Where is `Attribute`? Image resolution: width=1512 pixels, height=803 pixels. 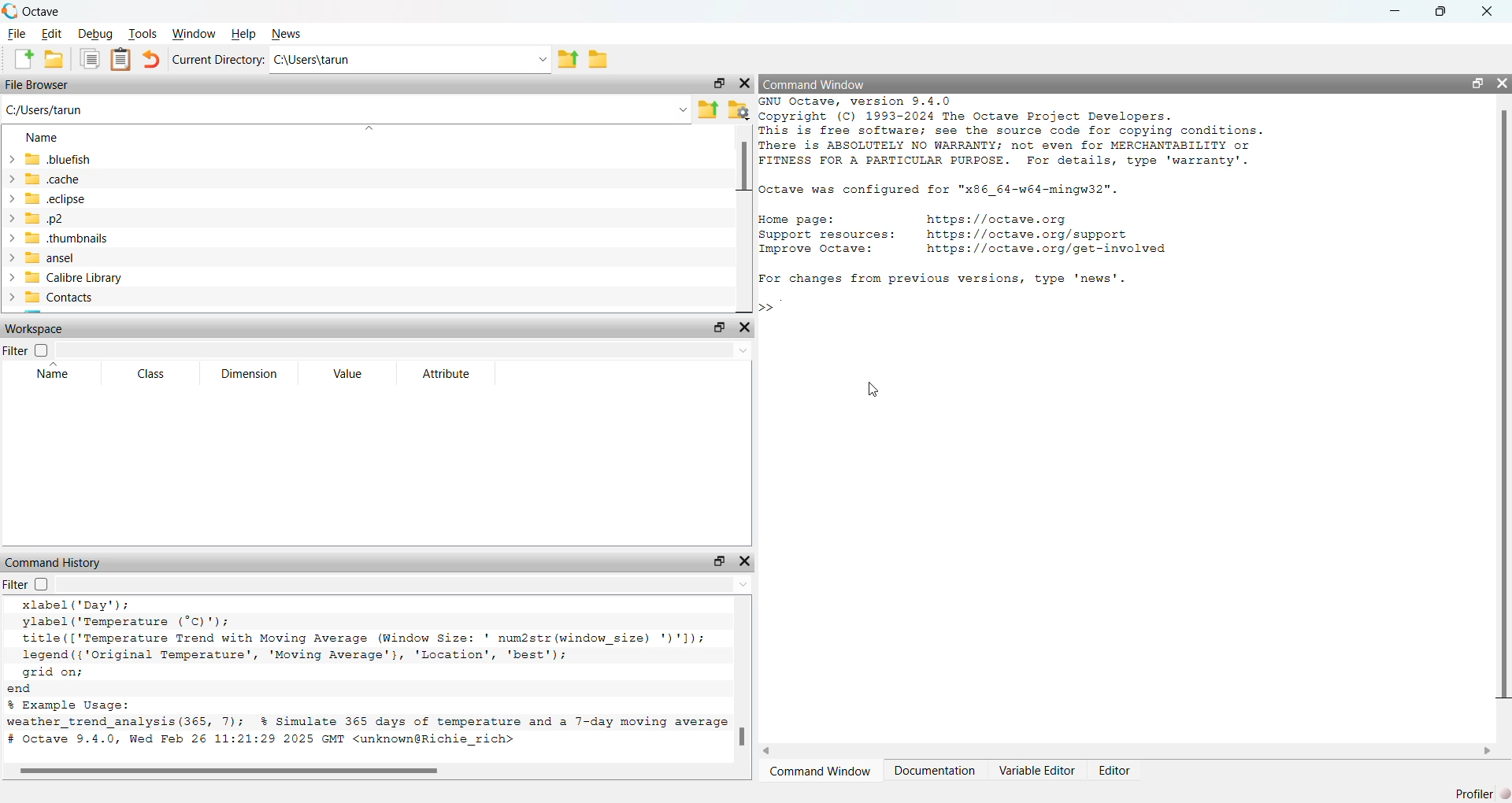
Attribute is located at coordinates (454, 375).